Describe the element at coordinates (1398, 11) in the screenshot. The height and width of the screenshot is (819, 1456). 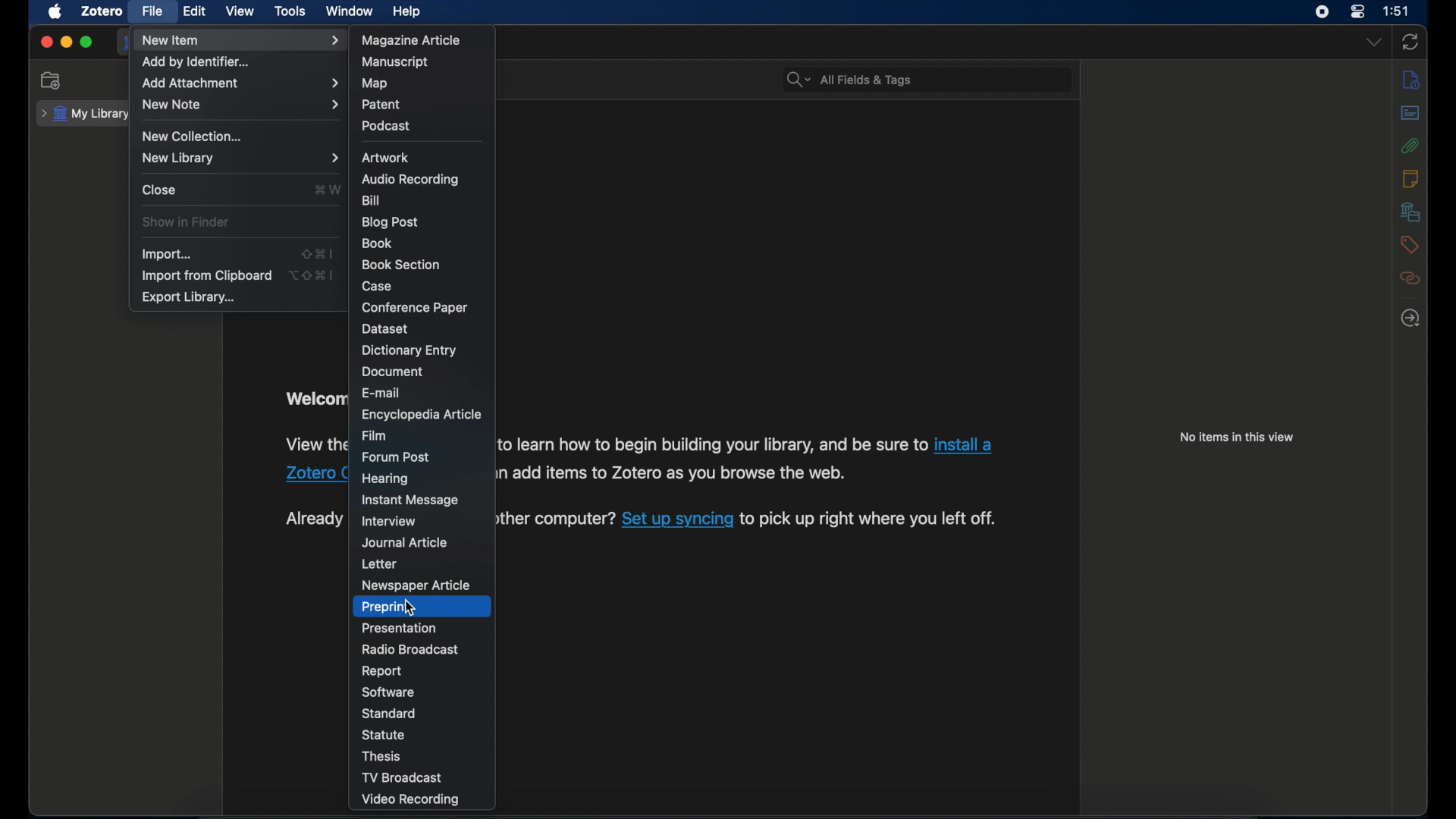
I see `1:51` at that location.